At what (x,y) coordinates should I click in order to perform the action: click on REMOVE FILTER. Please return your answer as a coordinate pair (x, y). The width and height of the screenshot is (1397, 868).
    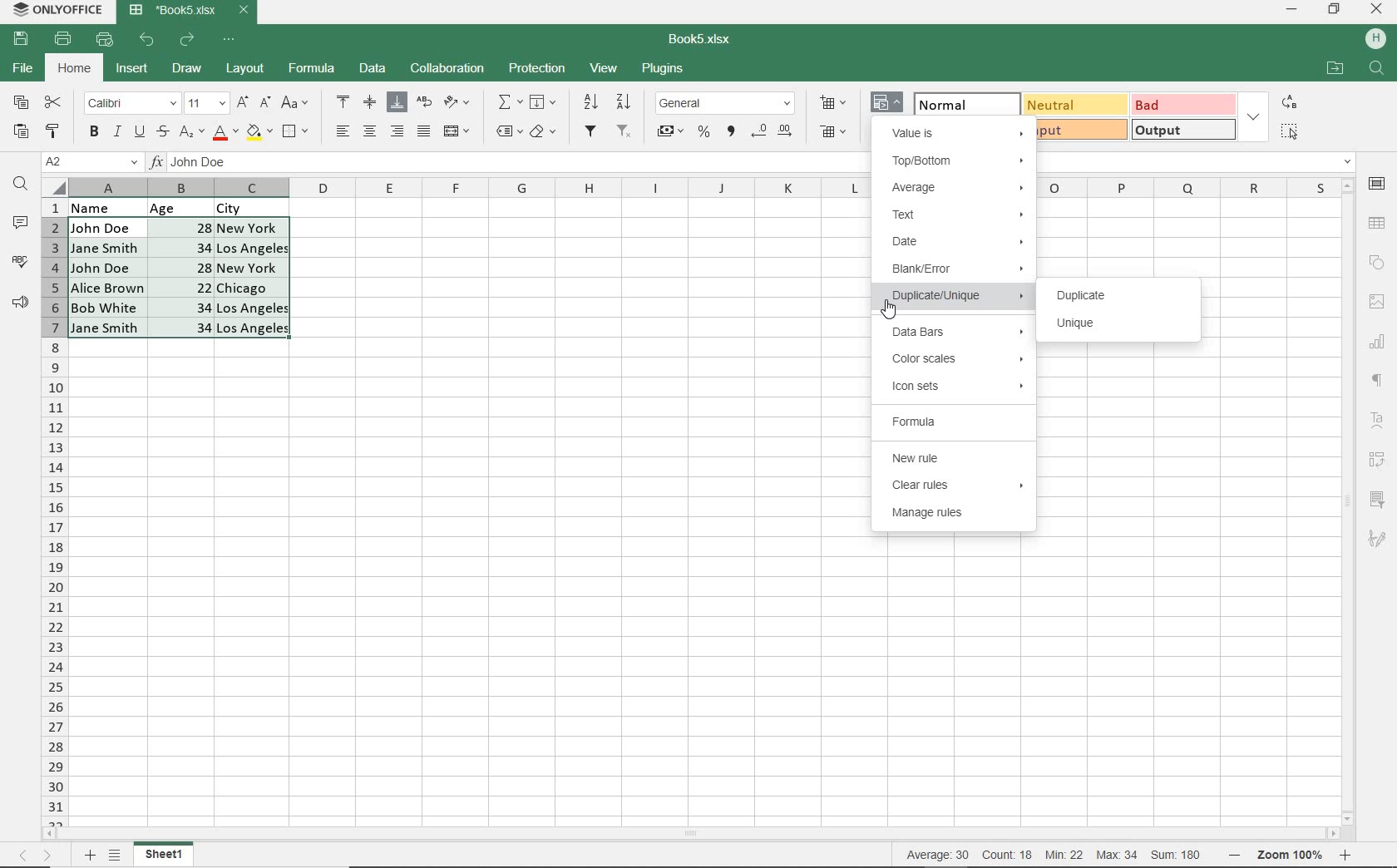
    Looking at the image, I should click on (625, 130).